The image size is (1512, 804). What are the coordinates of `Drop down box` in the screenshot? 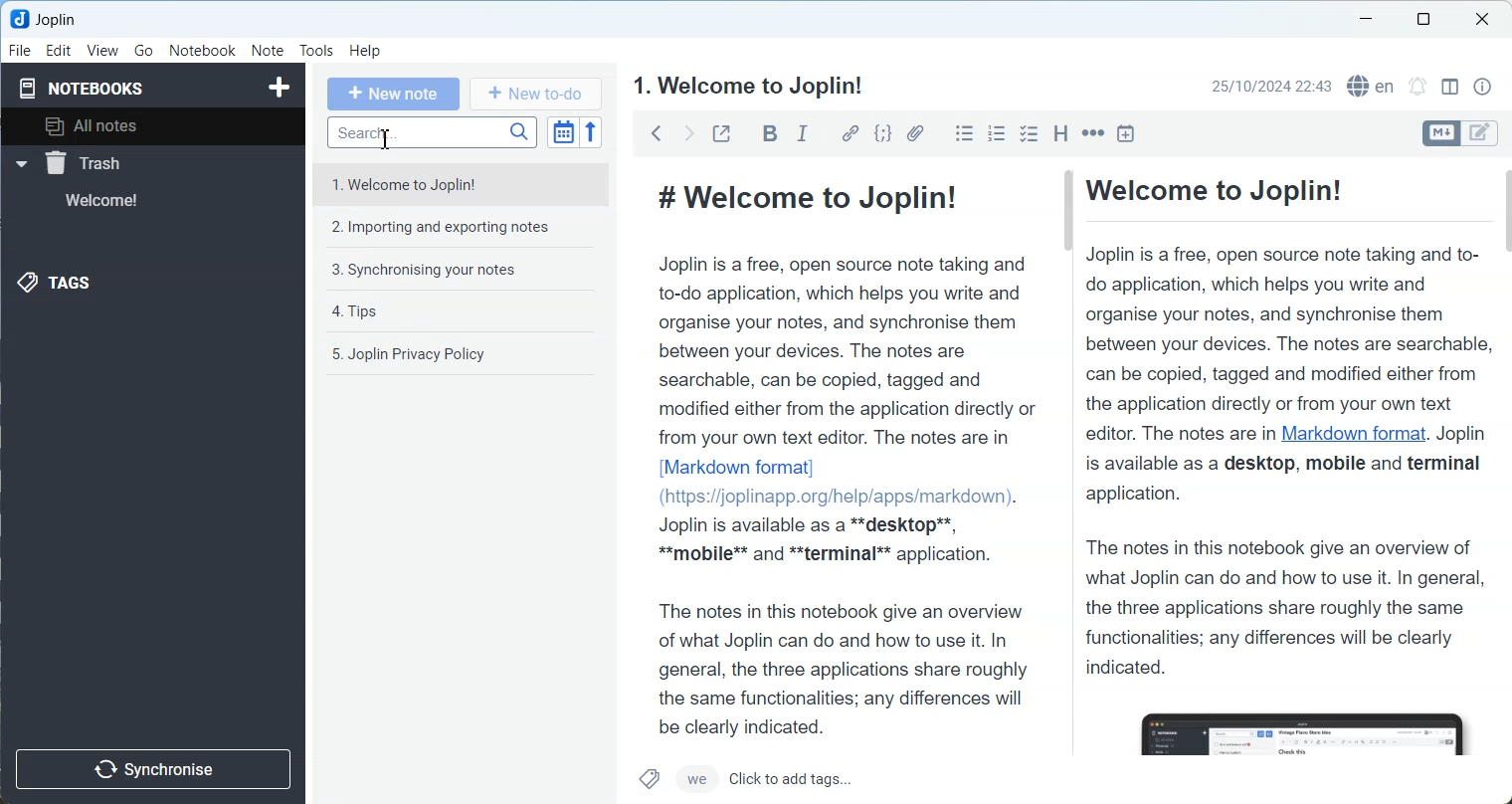 It's located at (20, 164).